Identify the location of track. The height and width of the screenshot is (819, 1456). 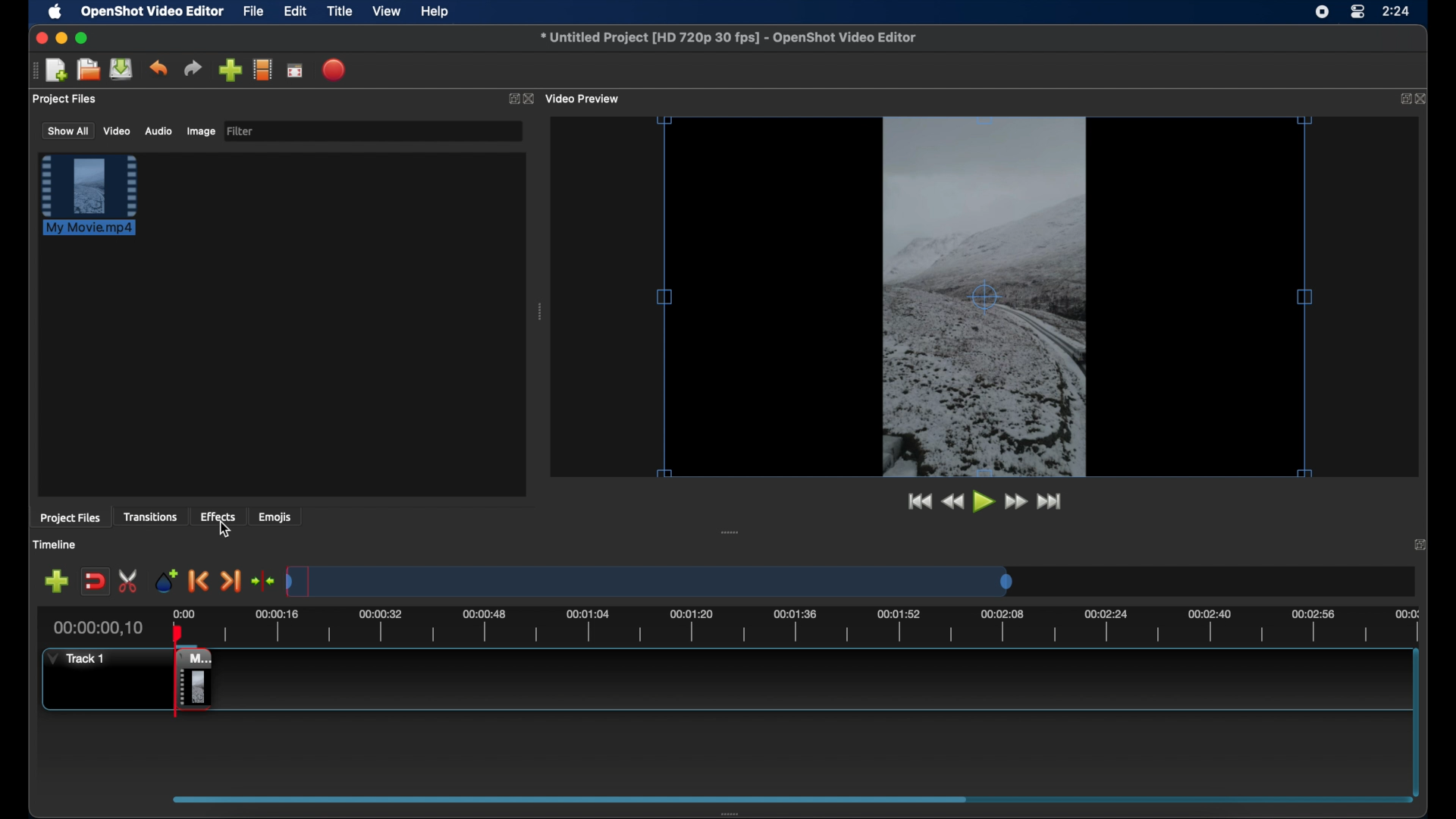
(190, 681).